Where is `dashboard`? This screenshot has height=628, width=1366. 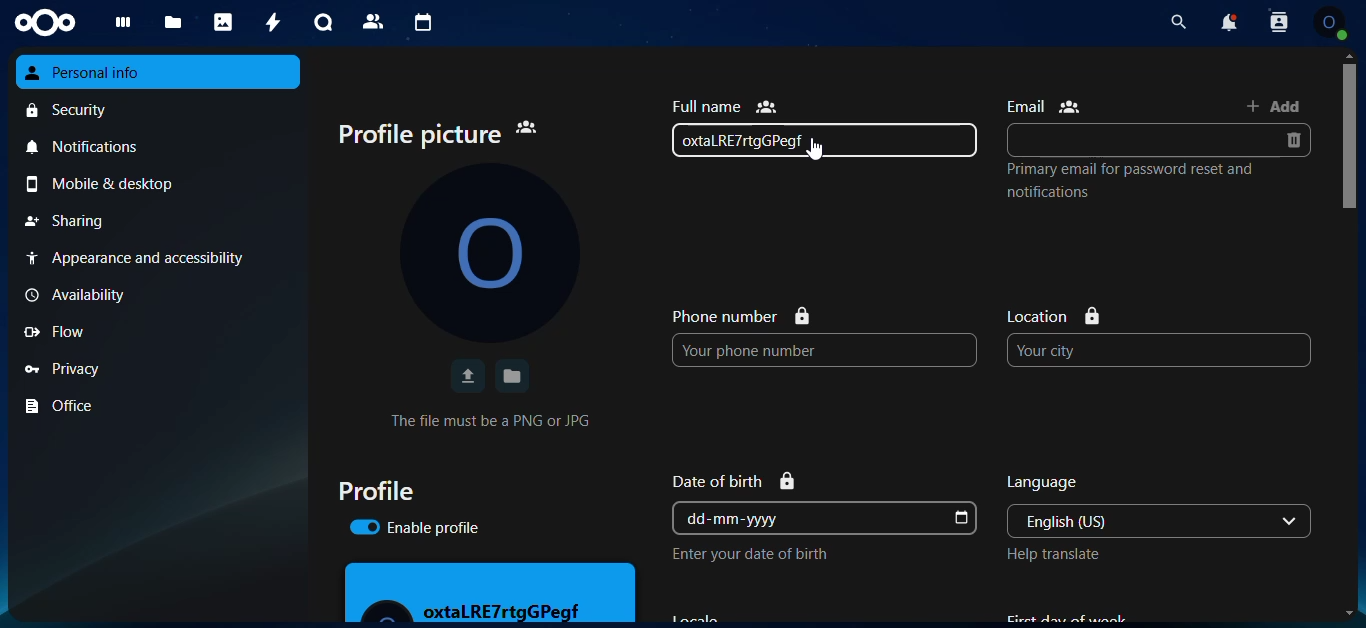
dashboard is located at coordinates (117, 26).